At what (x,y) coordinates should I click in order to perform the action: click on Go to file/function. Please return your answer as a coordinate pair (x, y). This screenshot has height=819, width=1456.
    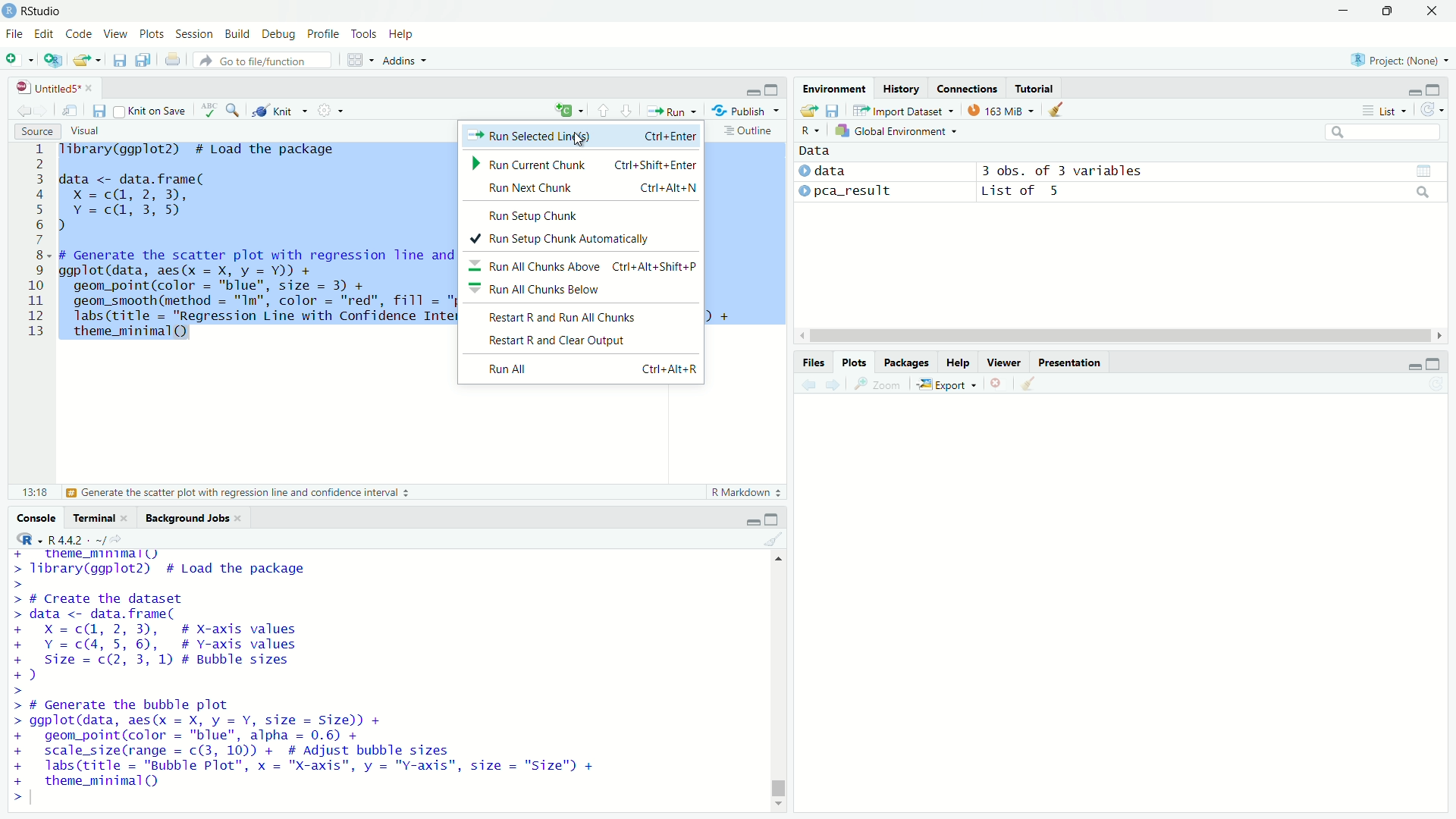
    Looking at the image, I should click on (262, 61).